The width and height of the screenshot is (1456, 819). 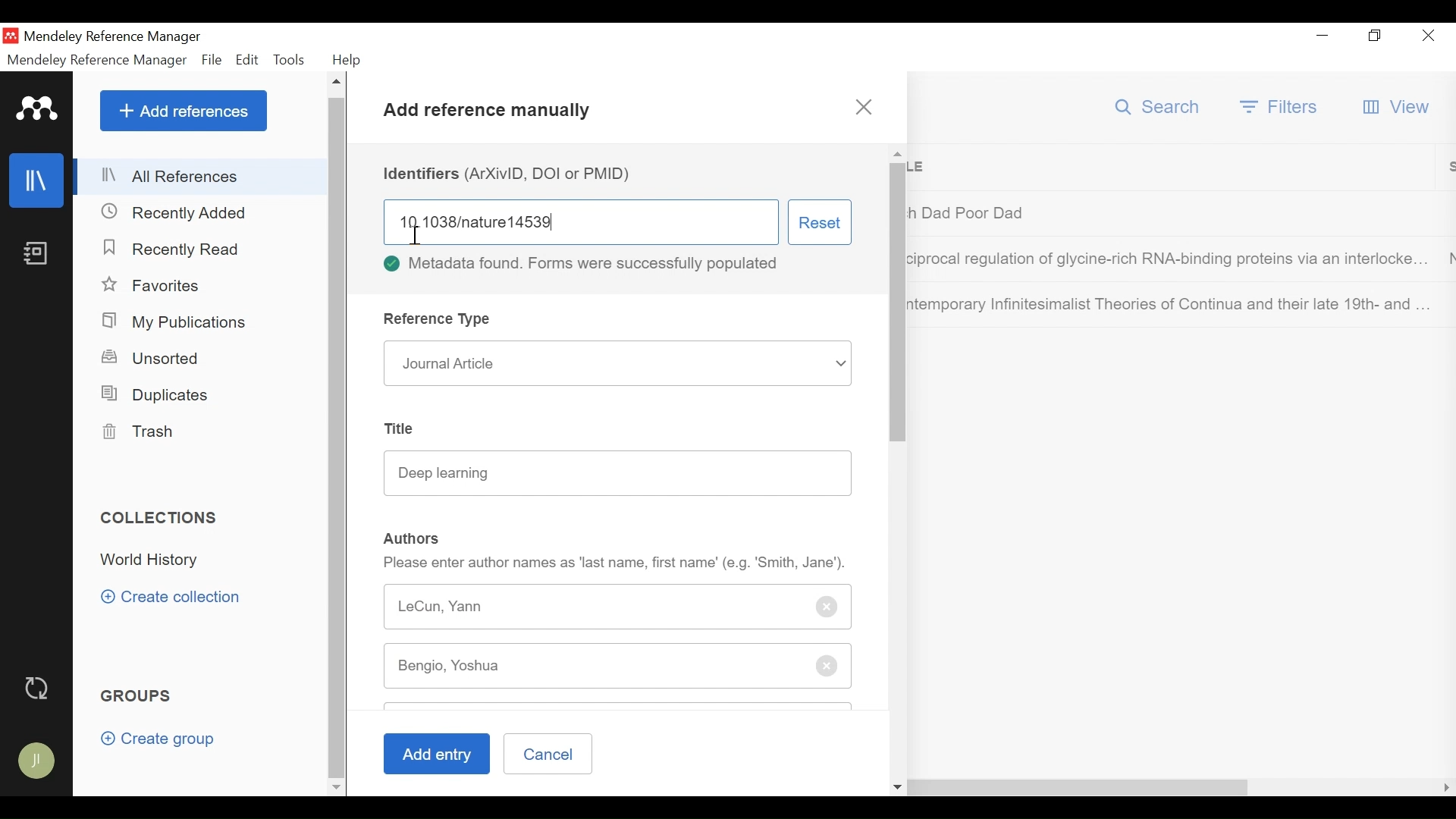 I want to click on Metadata found. Forms were successfully populated., so click(x=589, y=265).